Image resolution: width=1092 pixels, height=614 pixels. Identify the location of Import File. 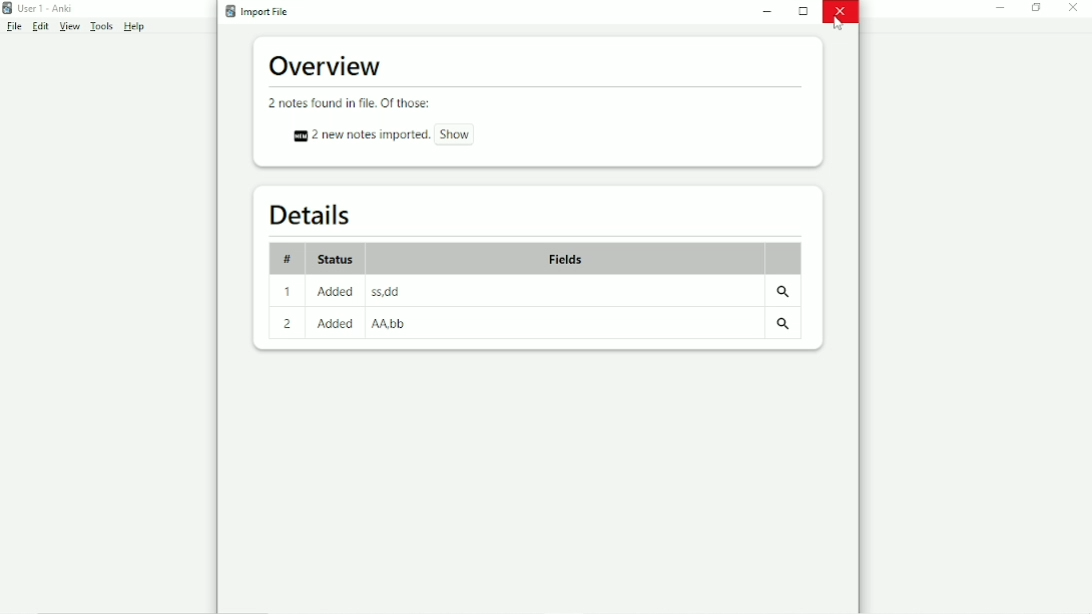
(261, 11).